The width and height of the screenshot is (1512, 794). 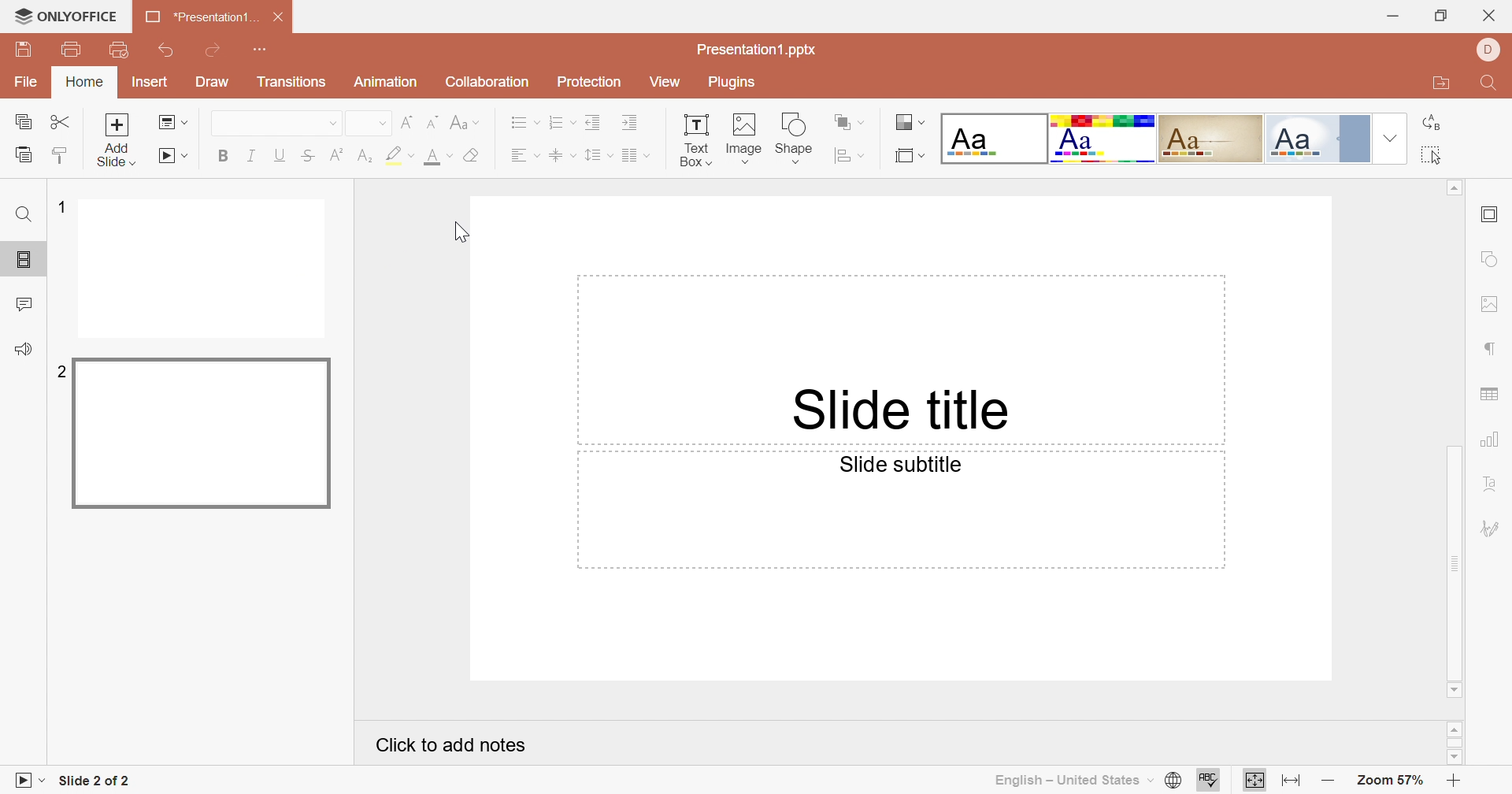 What do you see at coordinates (88, 82) in the screenshot?
I see `Home` at bounding box center [88, 82].